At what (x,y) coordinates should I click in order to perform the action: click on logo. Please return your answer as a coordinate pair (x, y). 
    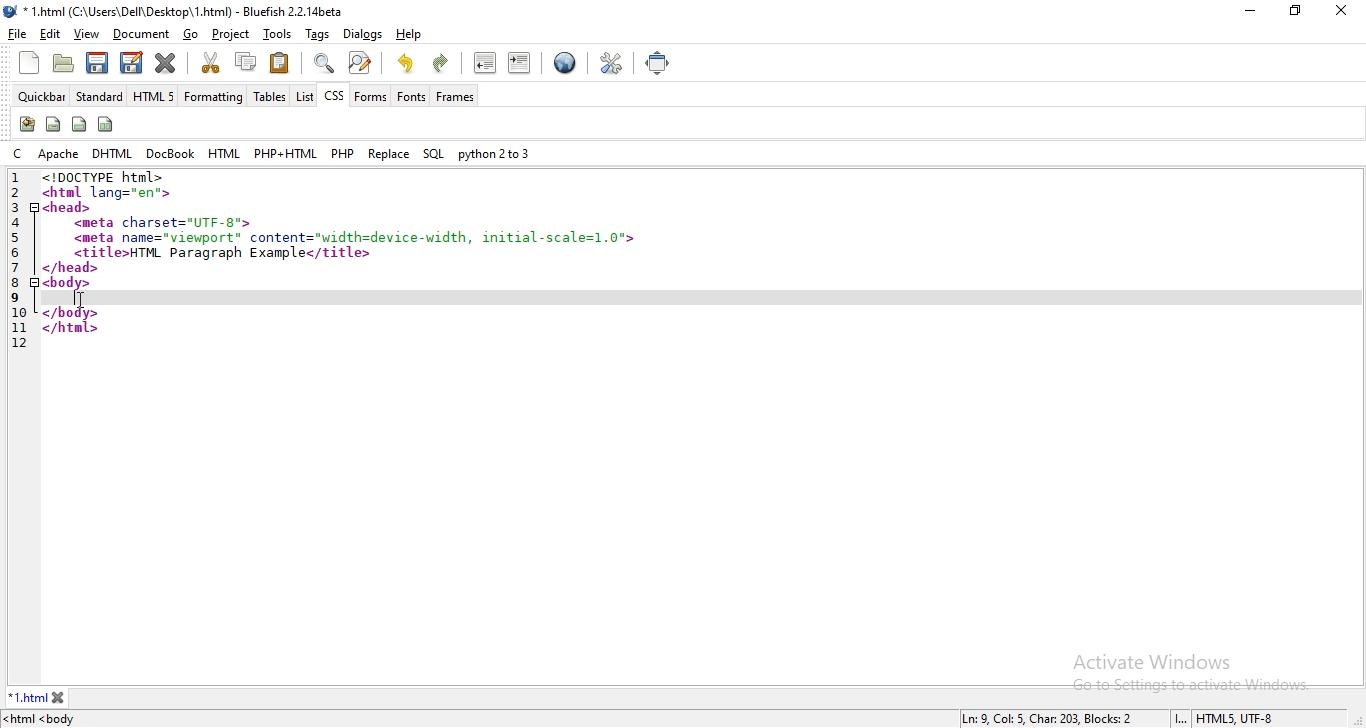
    Looking at the image, I should click on (12, 11).